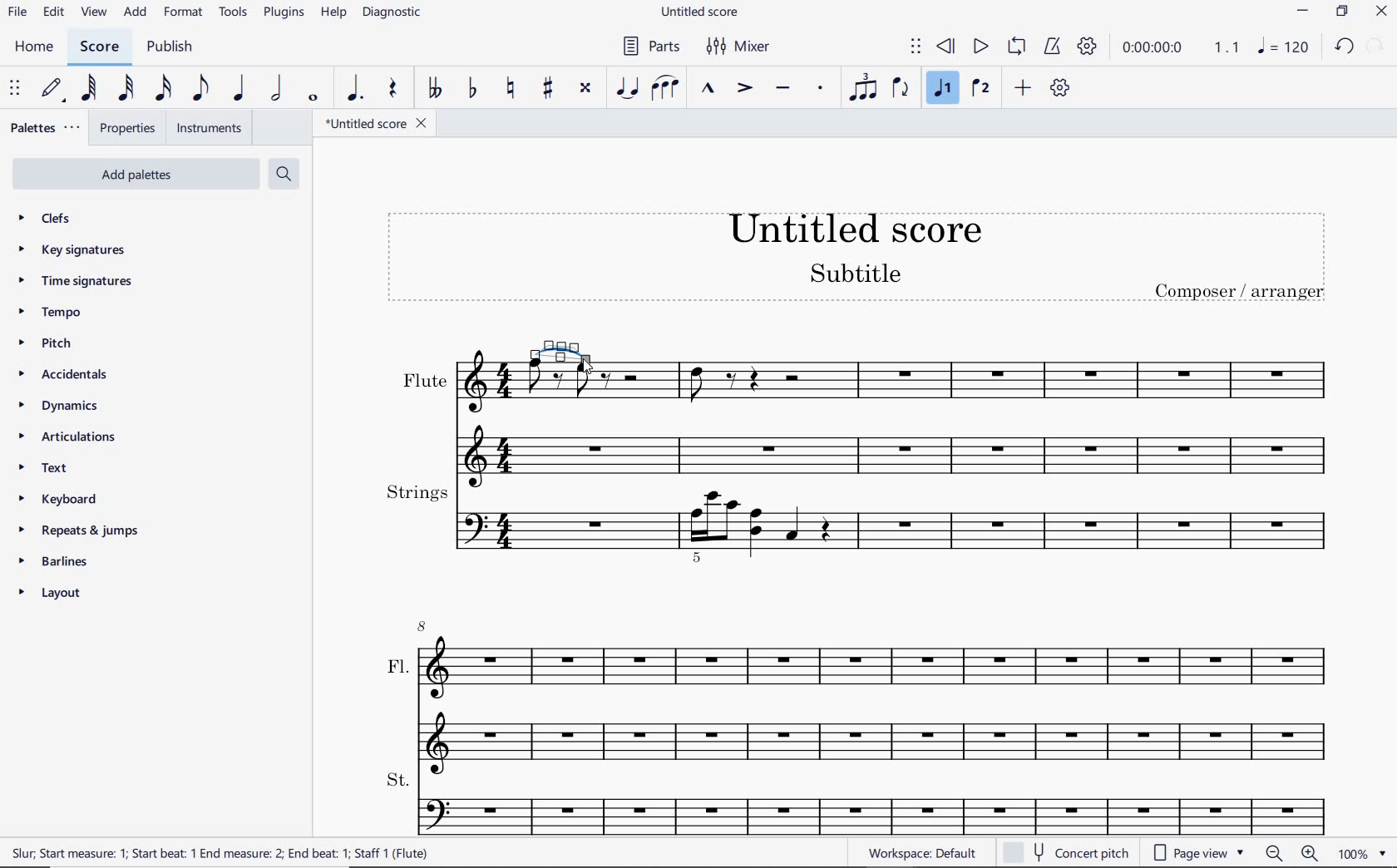  I want to click on mixer, so click(744, 47).